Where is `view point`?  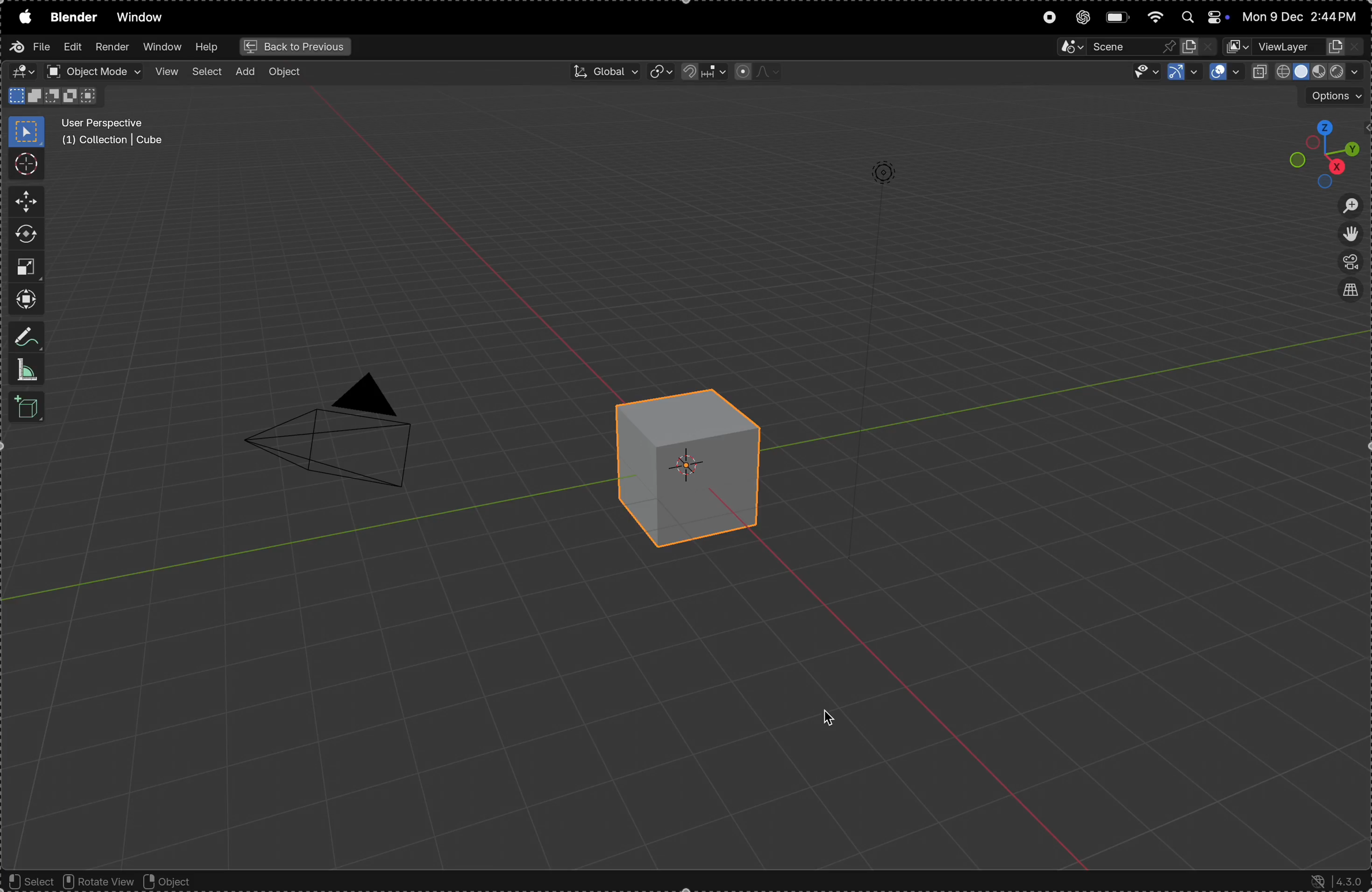
view point is located at coordinates (1314, 151).